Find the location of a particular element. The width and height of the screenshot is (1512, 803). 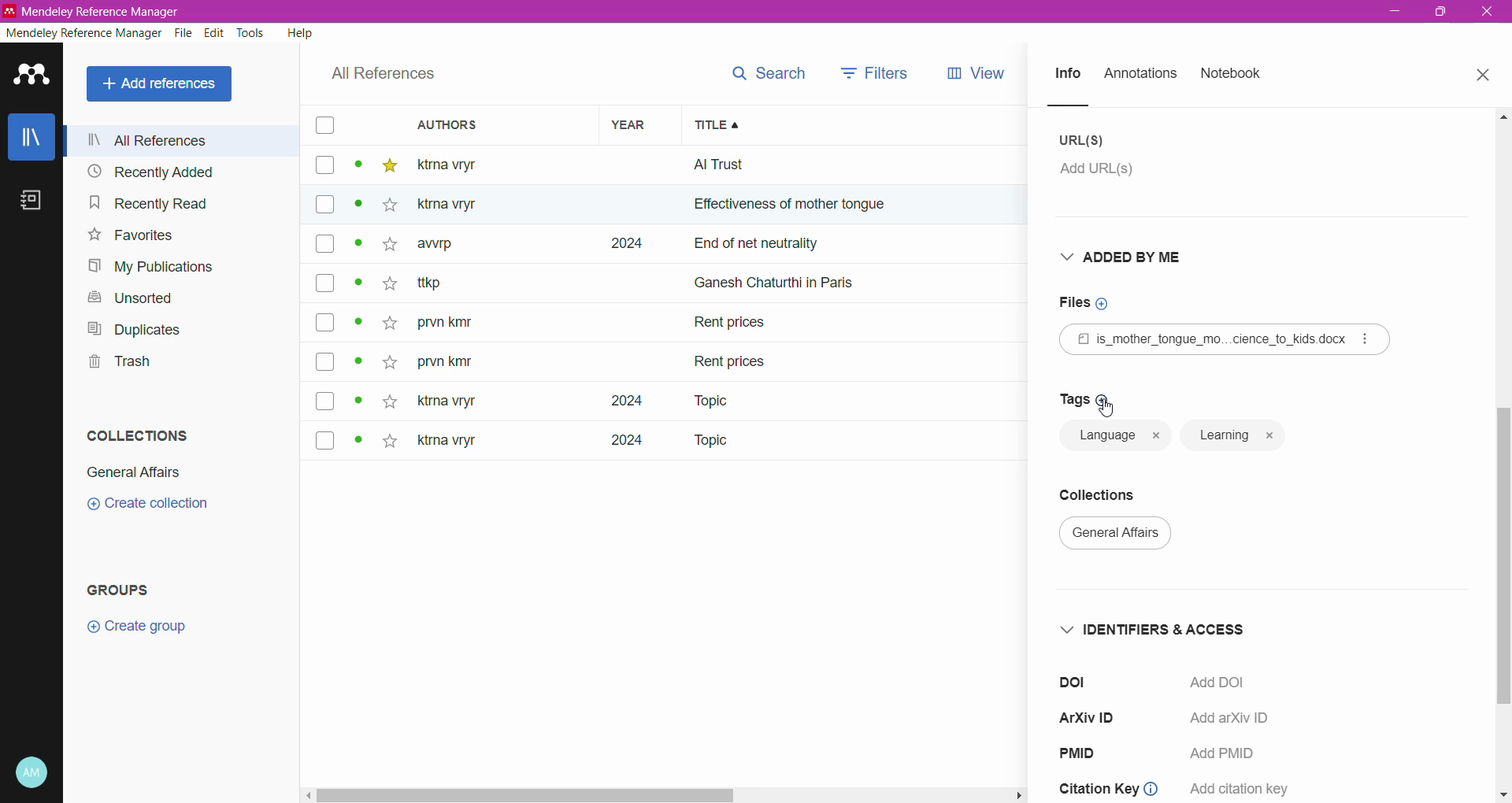

Click to add Files is located at coordinates (1092, 303).